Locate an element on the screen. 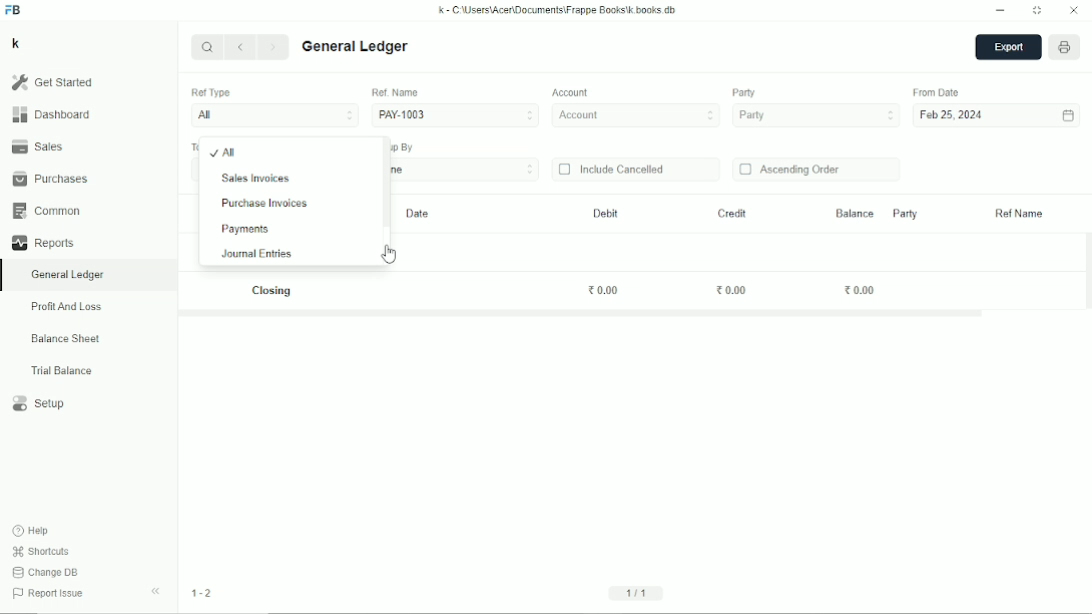 The height and width of the screenshot is (614, 1092). Account is located at coordinates (572, 93).